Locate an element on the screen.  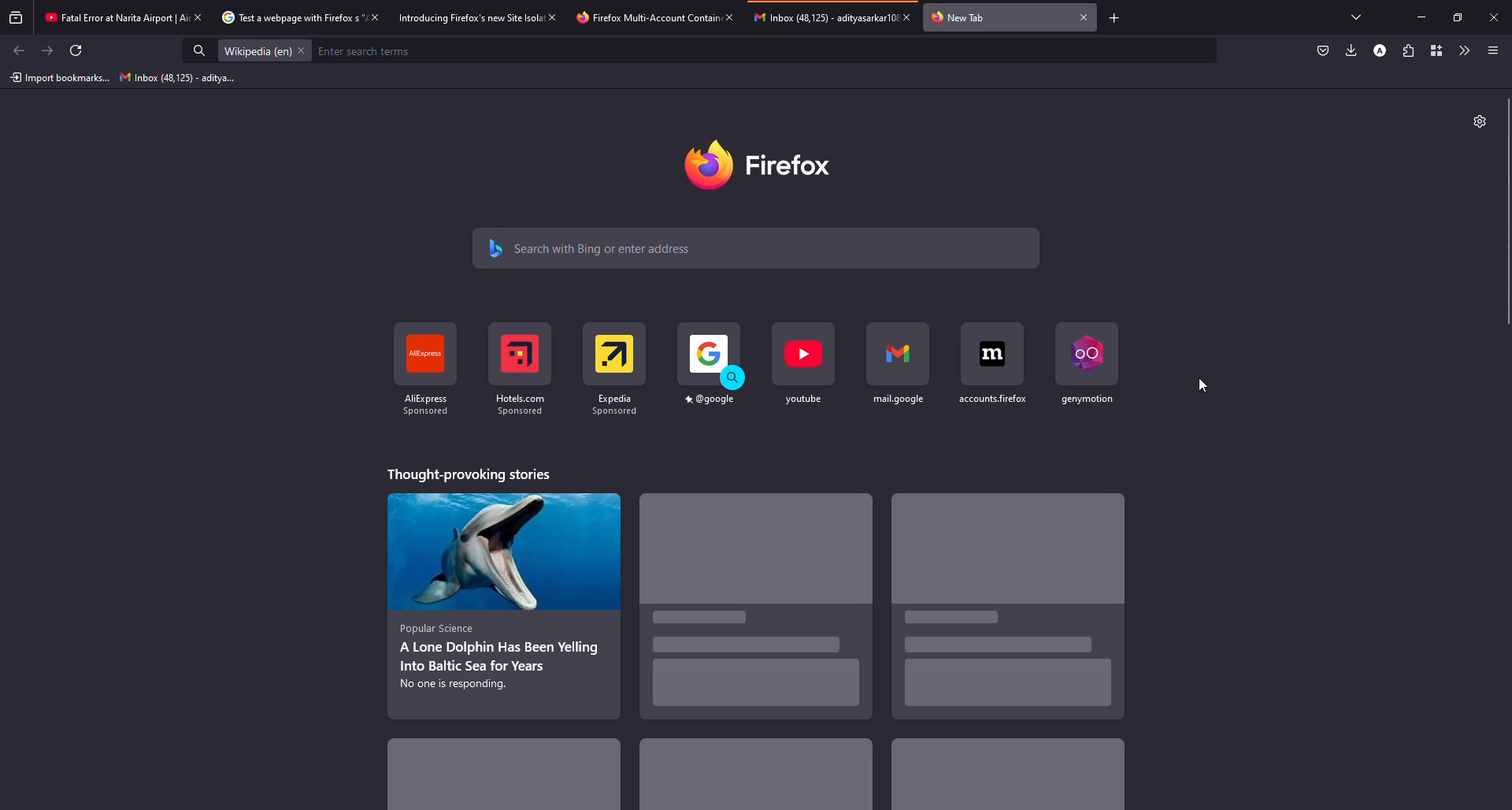
search with bing or enter address is located at coordinates (758, 249).